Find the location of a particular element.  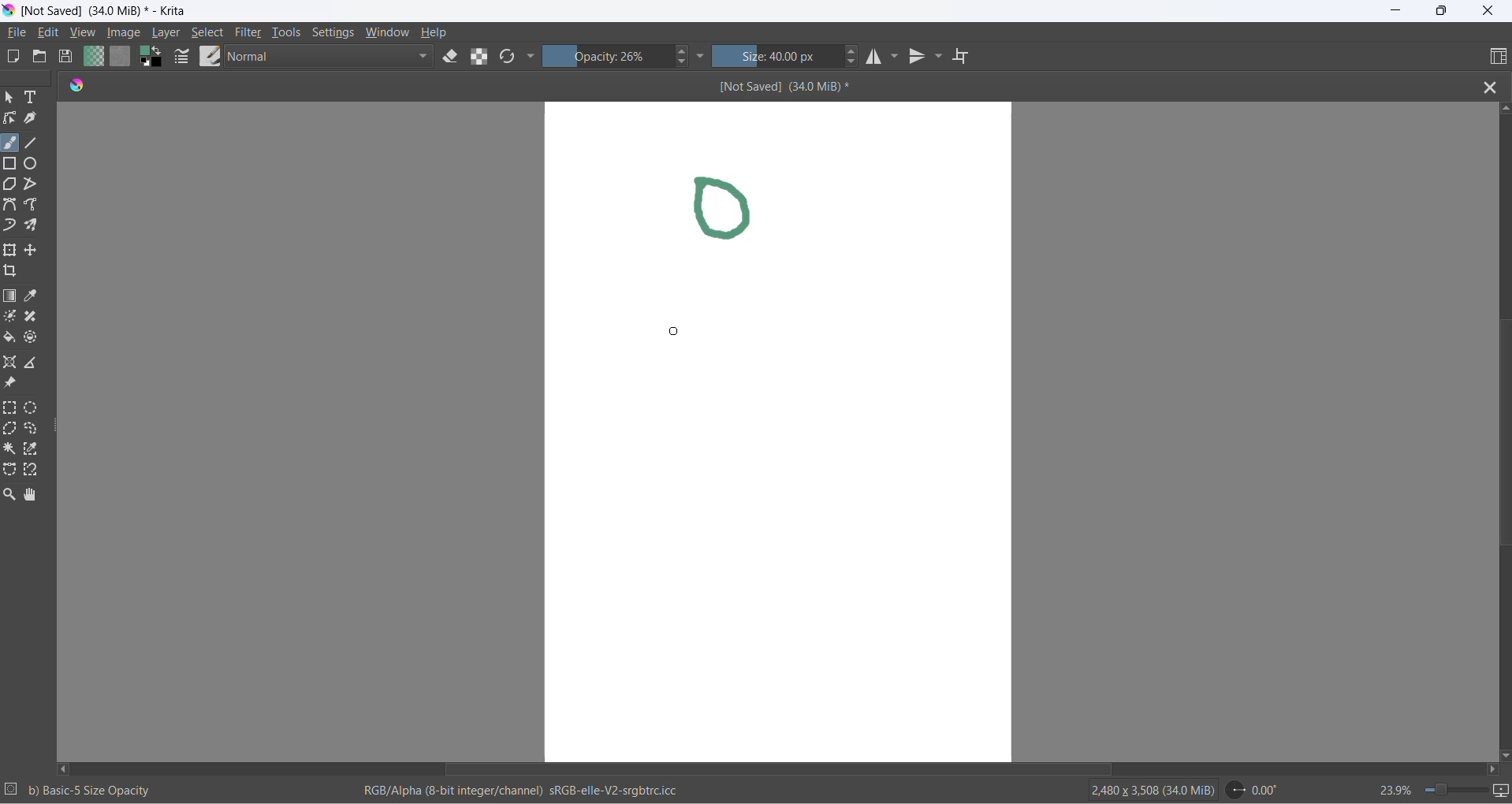

line tool is located at coordinates (40, 143).